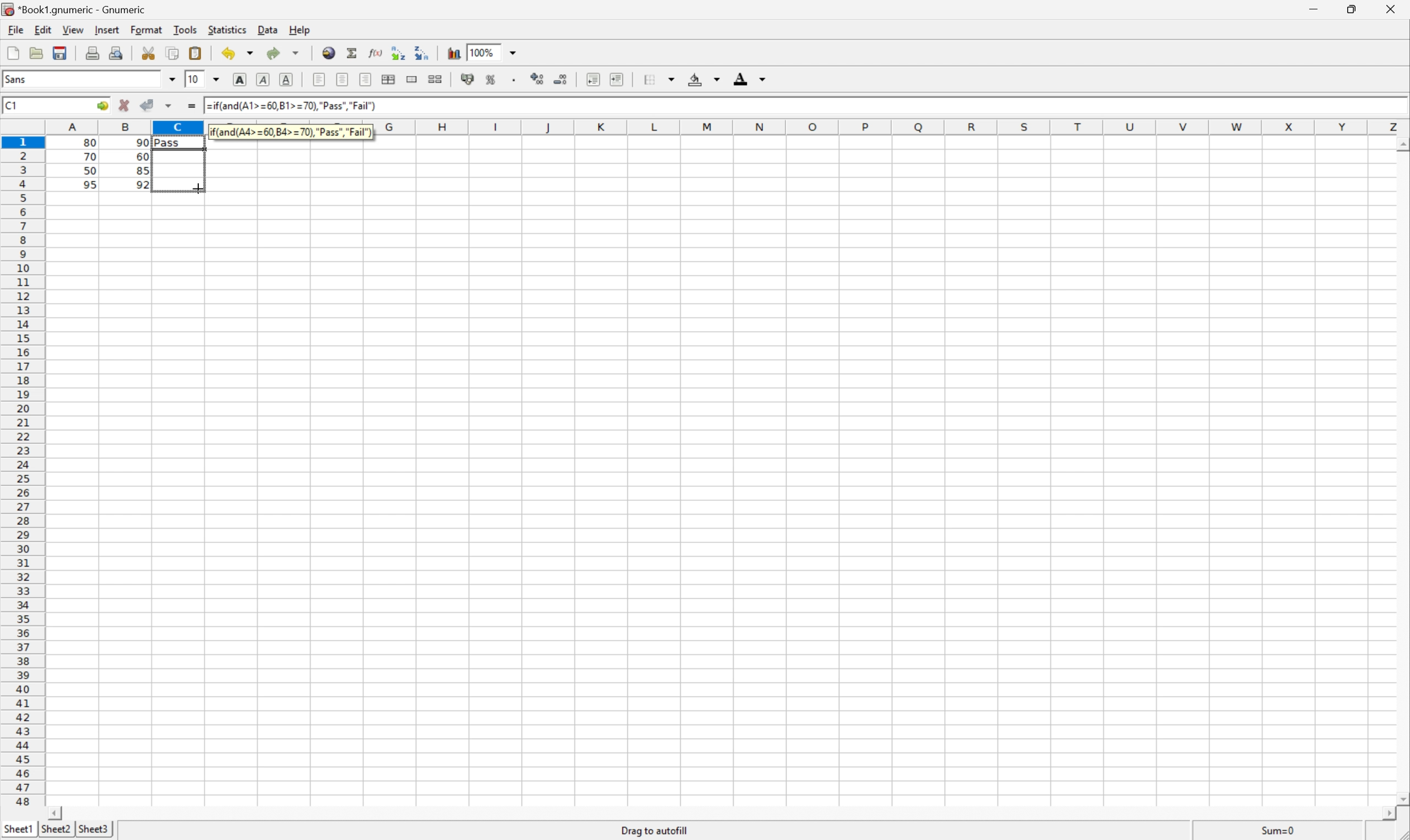 Image resolution: width=1410 pixels, height=840 pixels. I want to click on Sans, so click(17, 78).